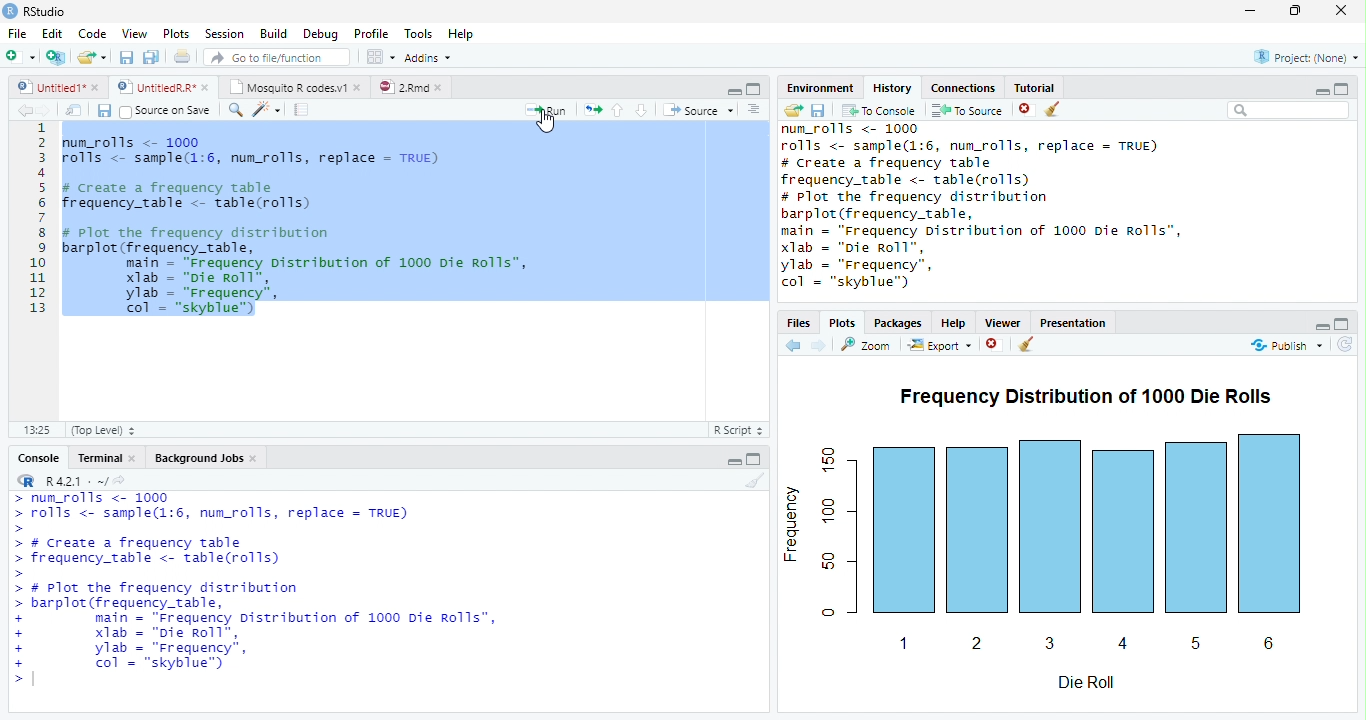 This screenshot has height=720, width=1366. Describe the element at coordinates (793, 110) in the screenshot. I see `Load History from existing file` at that location.